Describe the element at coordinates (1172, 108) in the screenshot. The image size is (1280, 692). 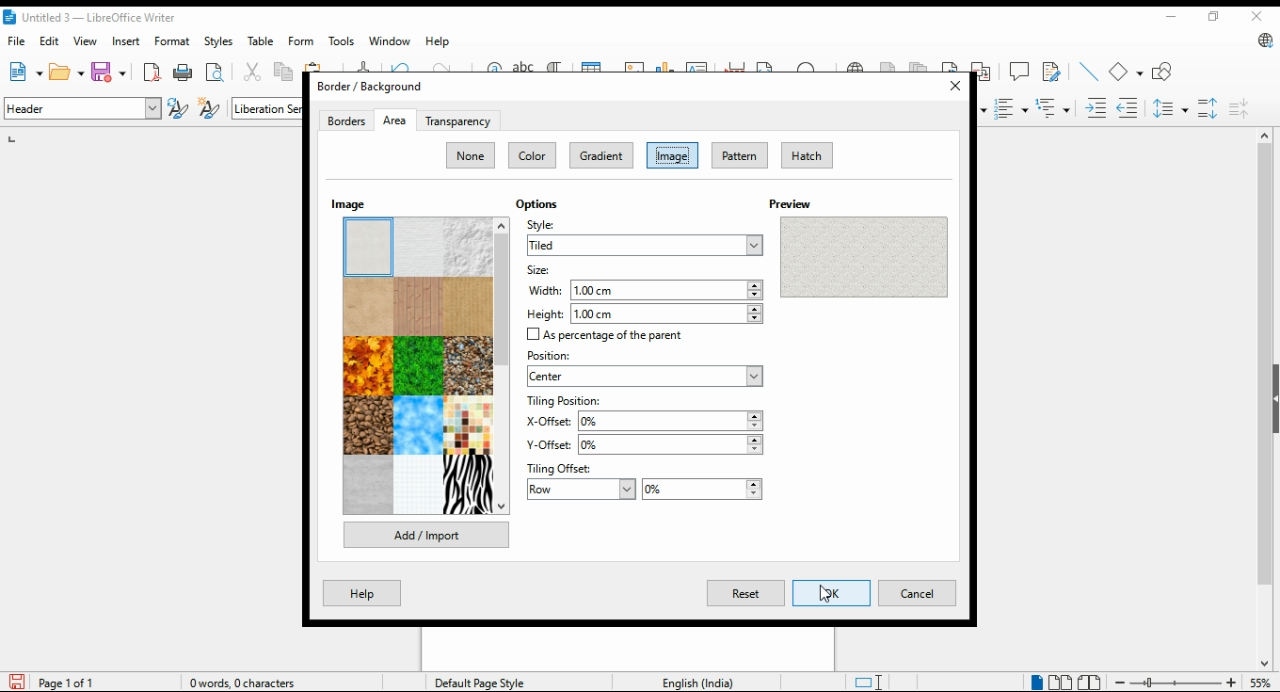
I see `set line spacing` at that location.